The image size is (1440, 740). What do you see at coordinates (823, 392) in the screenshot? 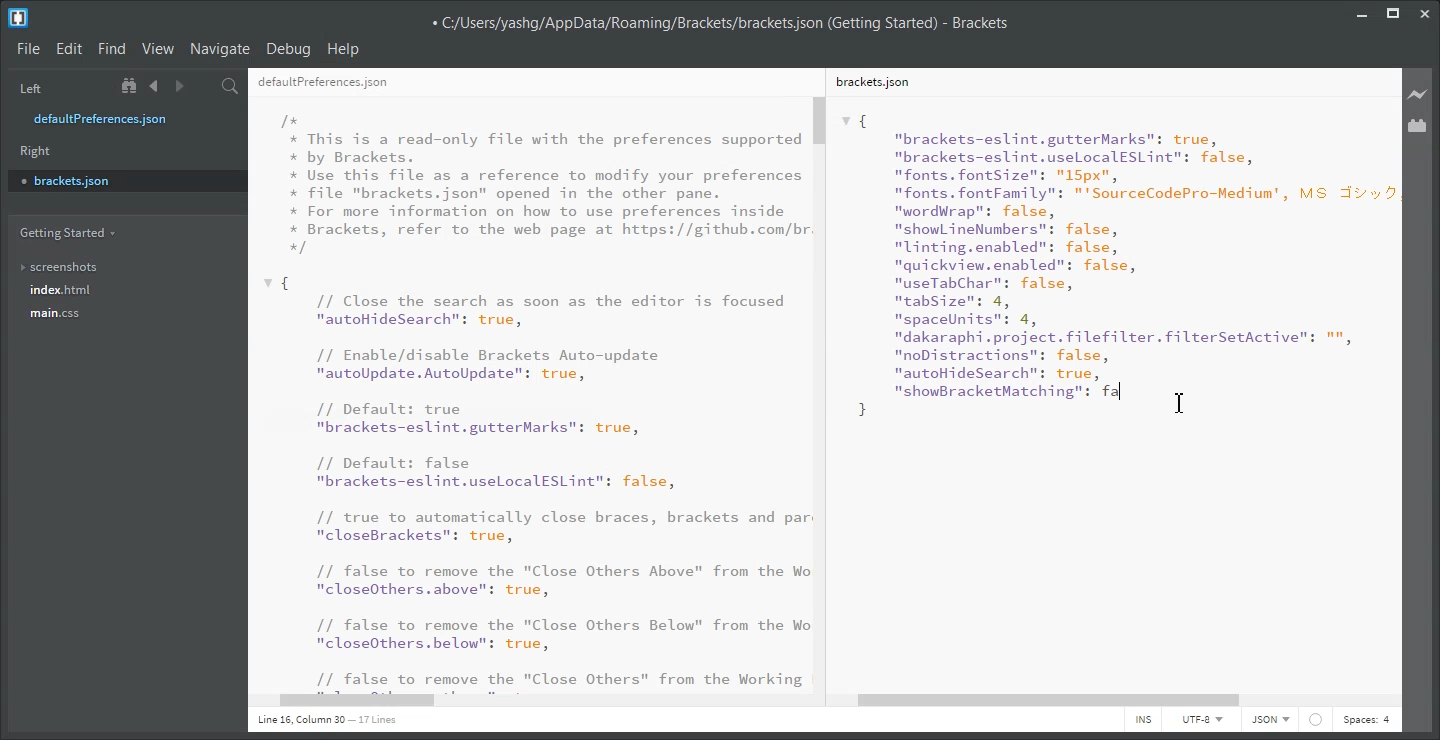
I see `Vertical Scroll bar` at bounding box center [823, 392].